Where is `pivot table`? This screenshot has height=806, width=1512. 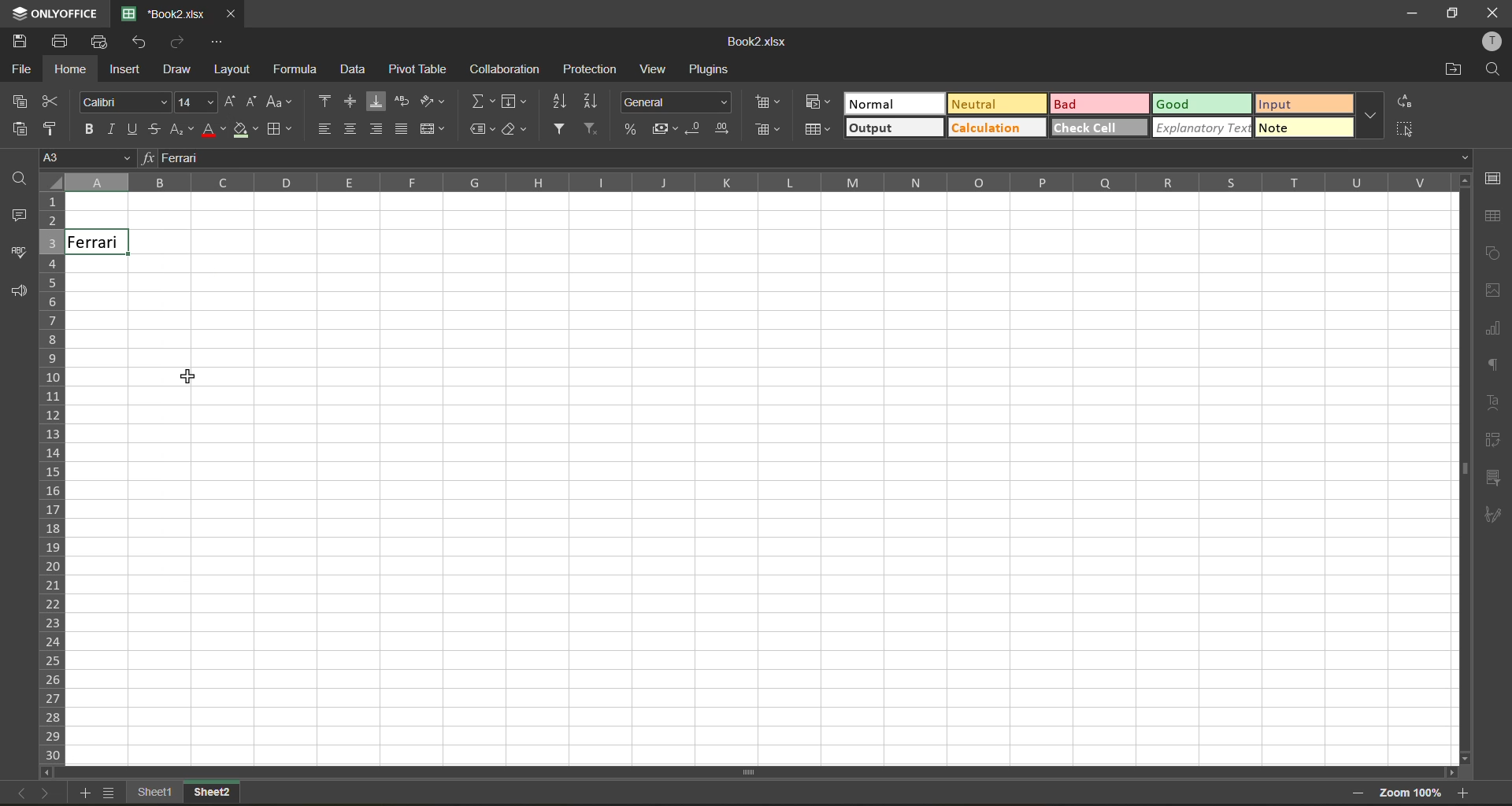
pivot table is located at coordinates (1496, 441).